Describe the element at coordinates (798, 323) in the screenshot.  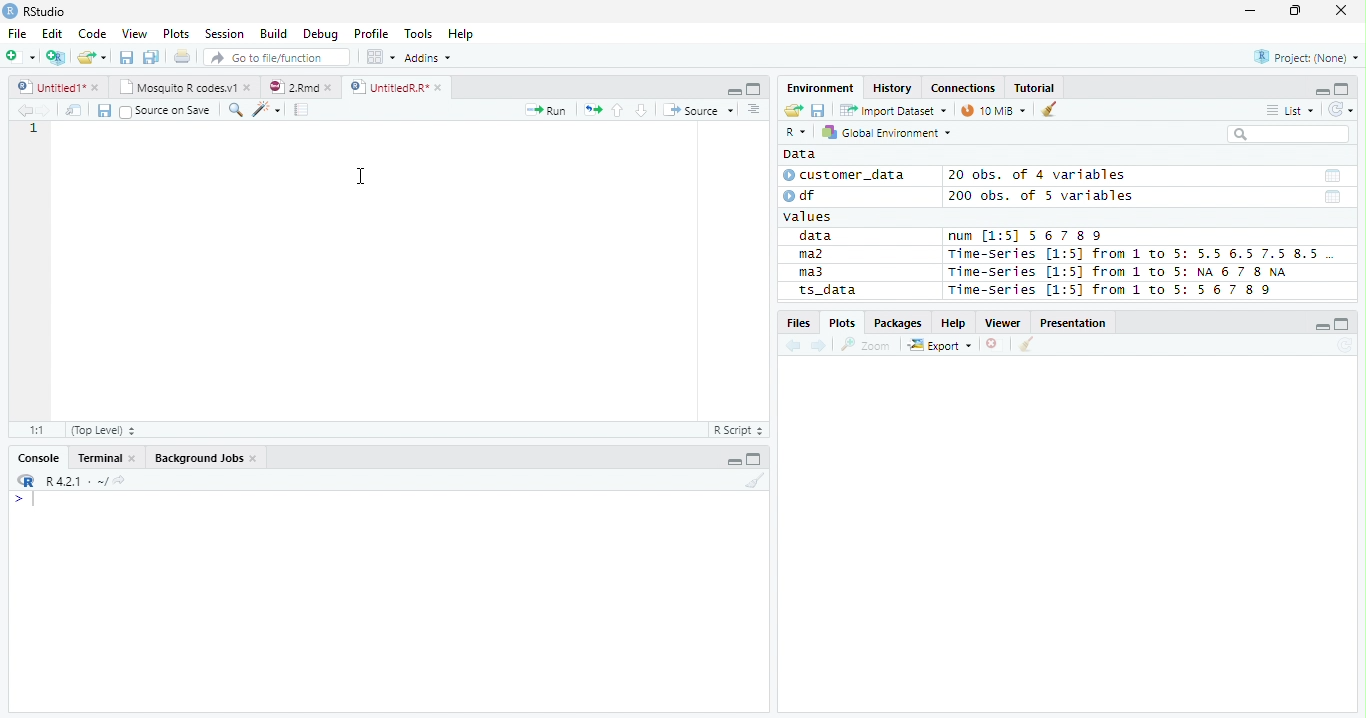
I see `Files` at that location.